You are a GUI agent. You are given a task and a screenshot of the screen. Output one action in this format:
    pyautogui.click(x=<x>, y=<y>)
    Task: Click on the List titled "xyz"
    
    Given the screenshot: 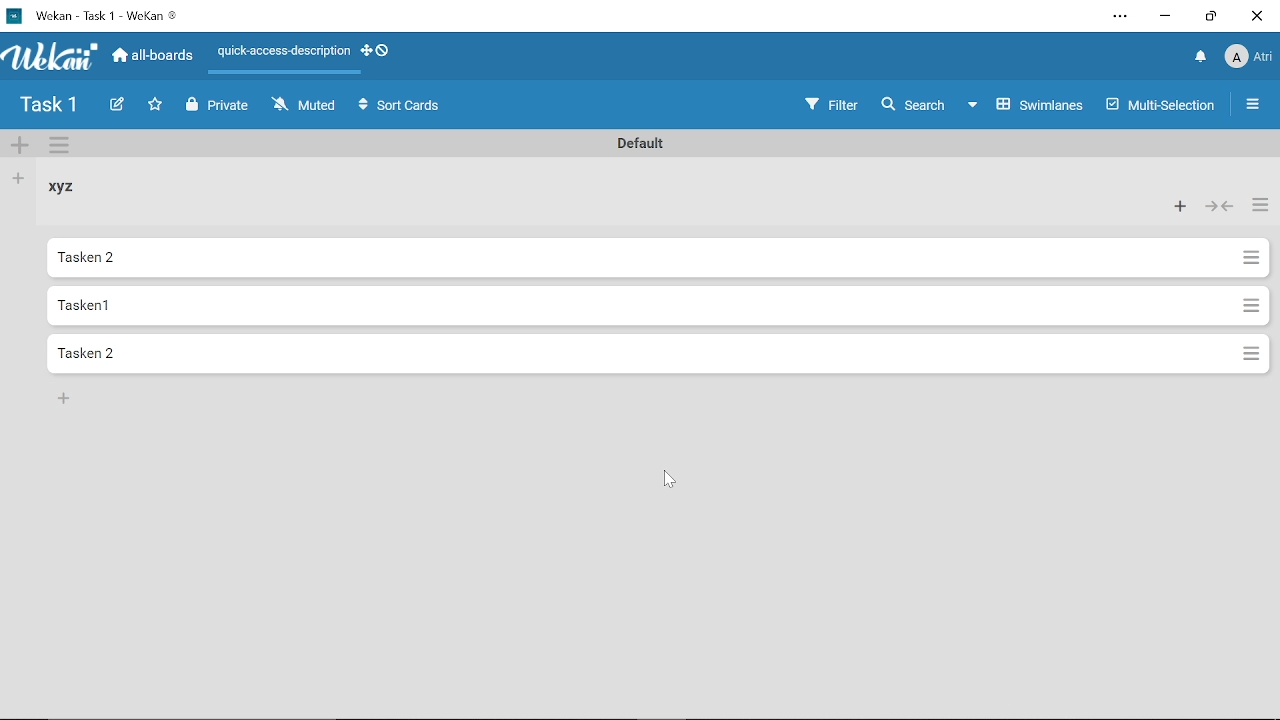 What is the action you would take?
    pyautogui.click(x=68, y=188)
    